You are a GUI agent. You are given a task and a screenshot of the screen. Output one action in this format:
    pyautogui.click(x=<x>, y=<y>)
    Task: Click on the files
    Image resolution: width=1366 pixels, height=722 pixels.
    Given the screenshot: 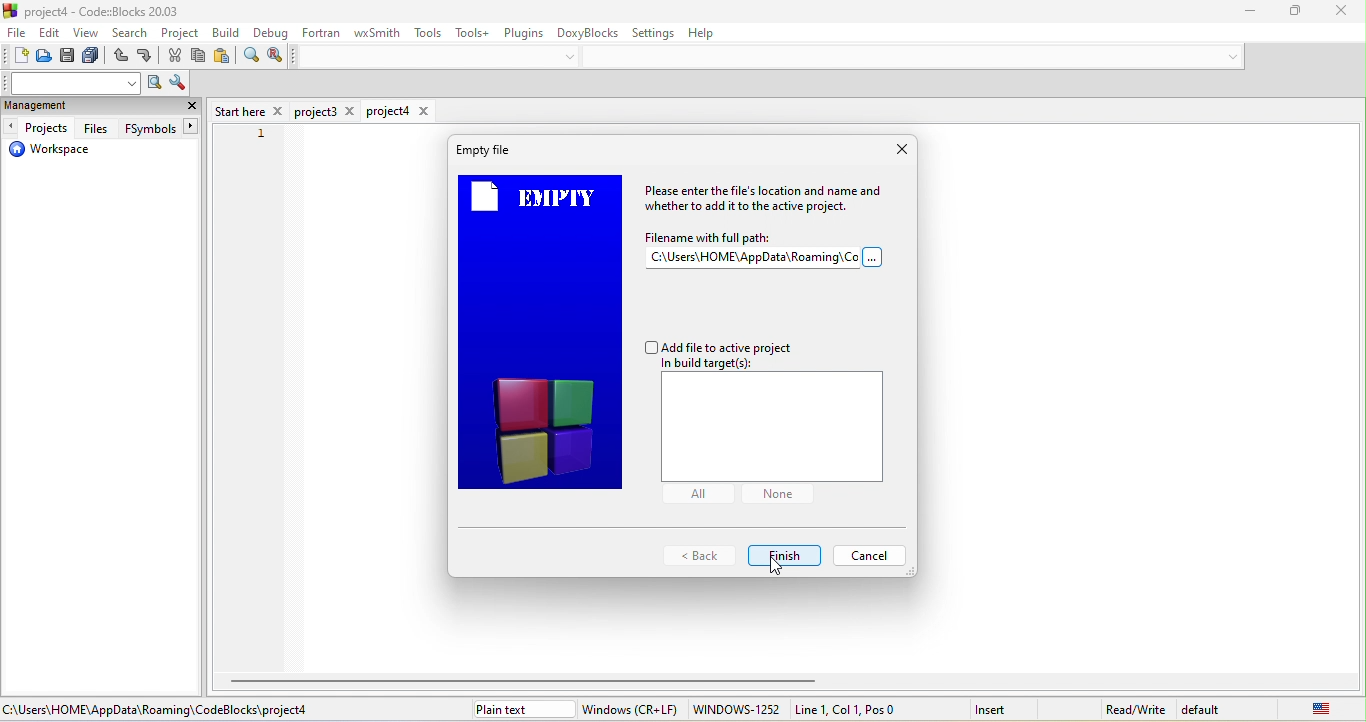 What is the action you would take?
    pyautogui.click(x=96, y=128)
    